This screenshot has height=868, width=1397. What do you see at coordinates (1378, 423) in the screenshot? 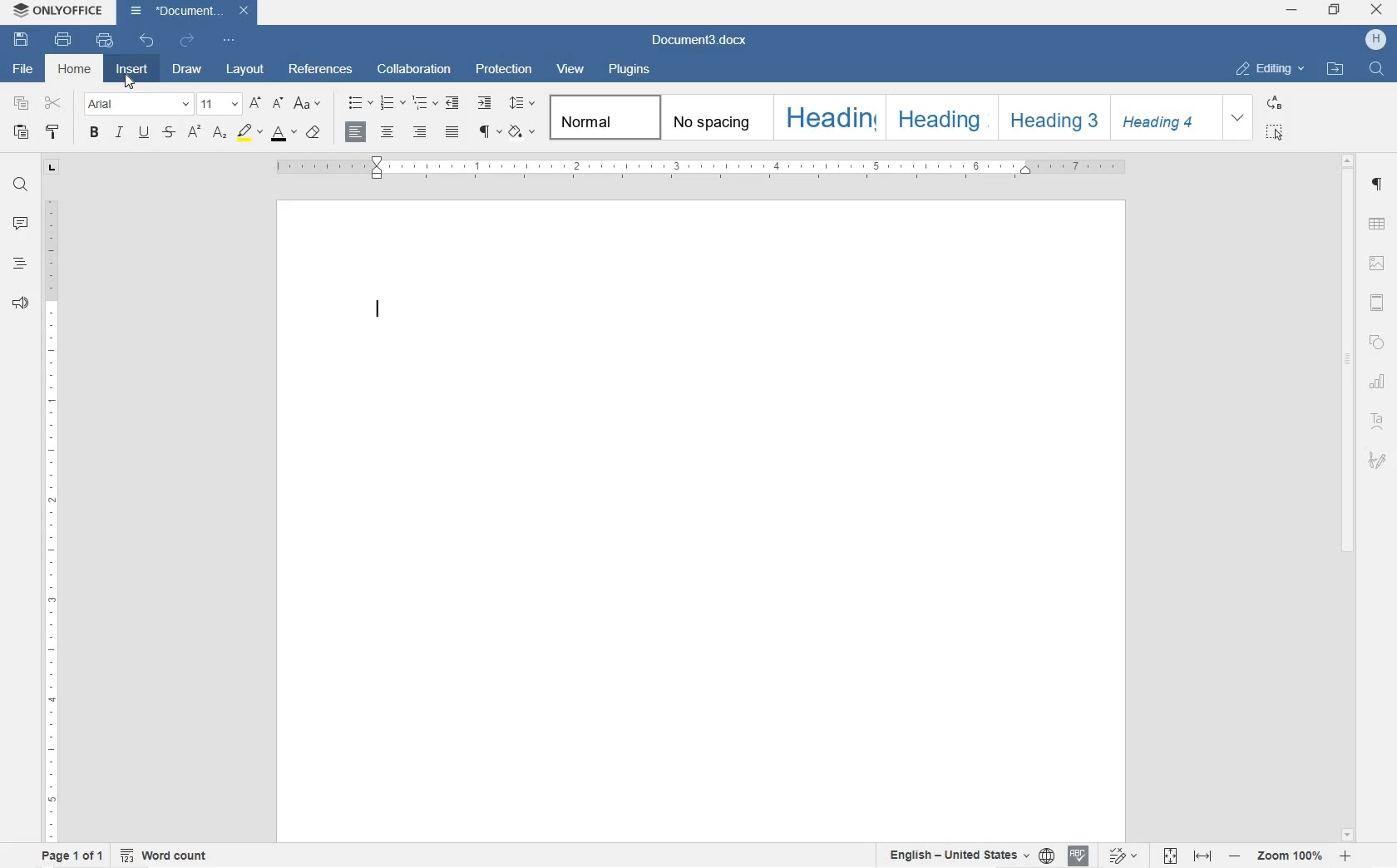
I see `TEXT ART` at bounding box center [1378, 423].